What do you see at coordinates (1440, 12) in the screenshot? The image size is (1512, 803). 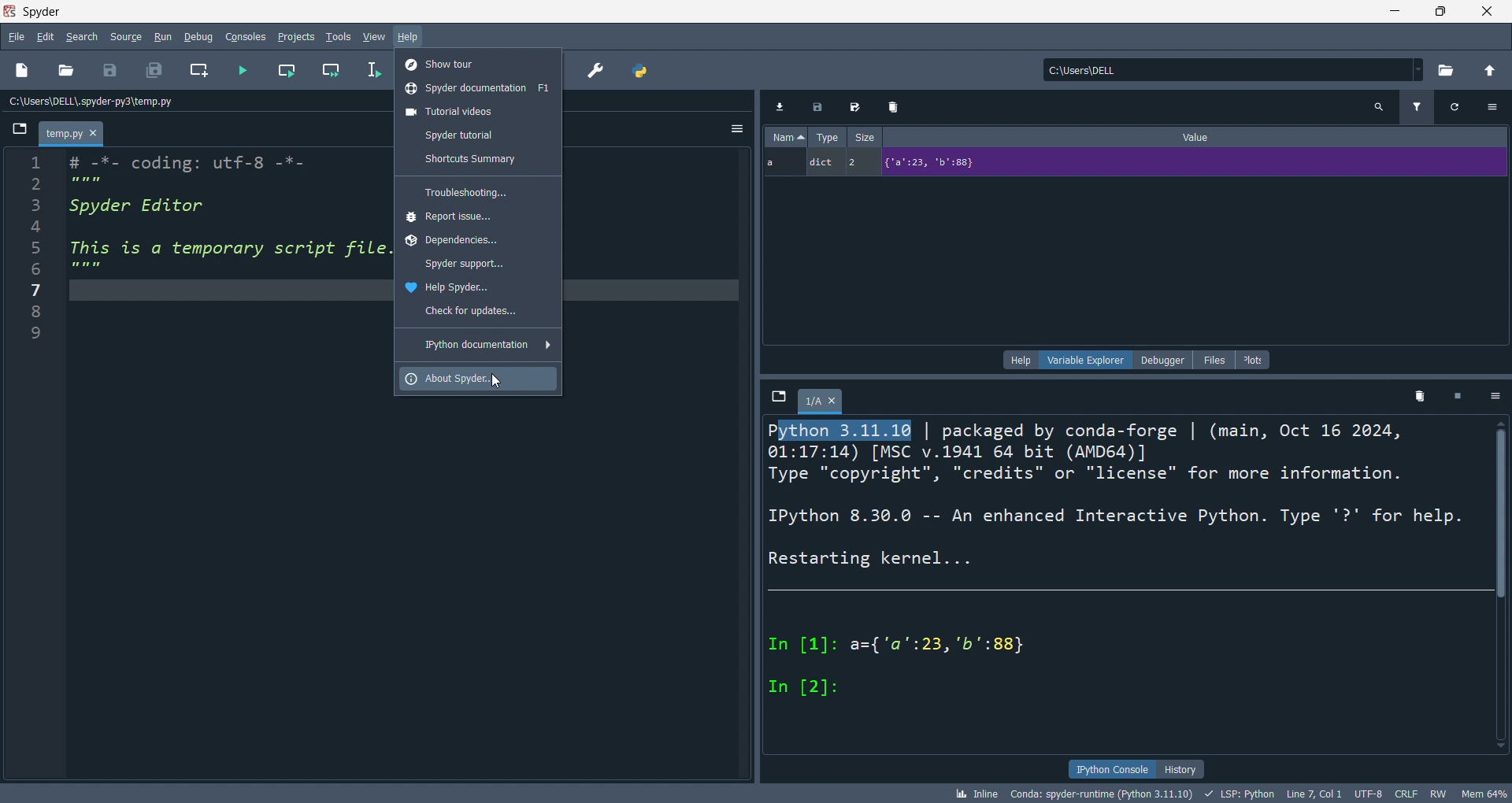 I see `maximize` at bounding box center [1440, 12].